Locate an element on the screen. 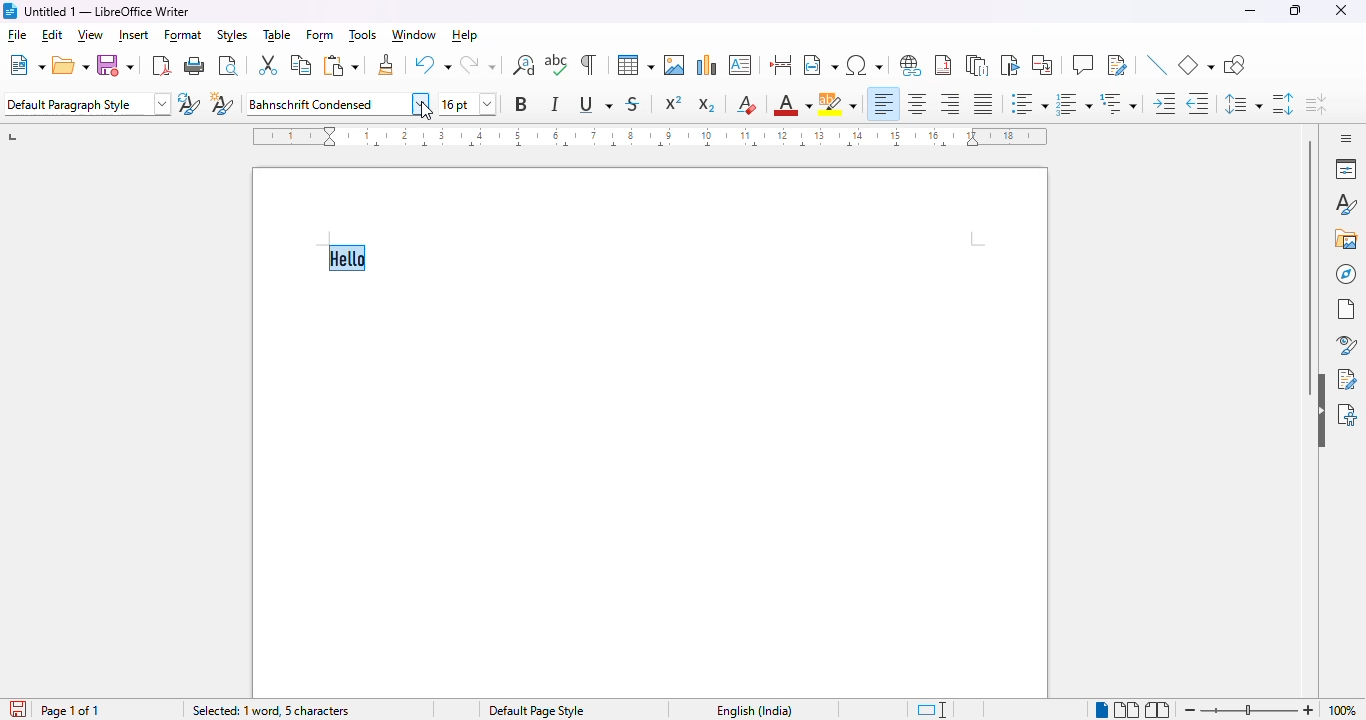  close is located at coordinates (1343, 10).